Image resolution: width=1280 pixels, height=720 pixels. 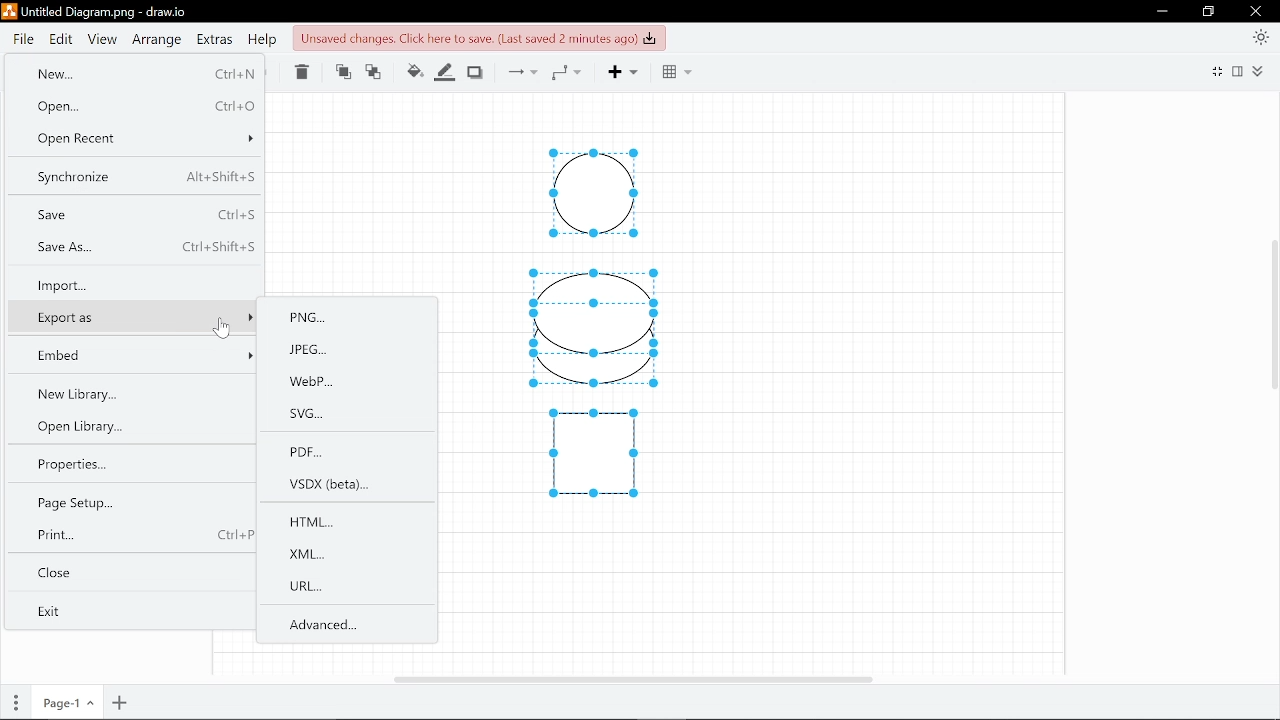 What do you see at coordinates (140, 137) in the screenshot?
I see `Open recent` at bounding box center [140, 137].